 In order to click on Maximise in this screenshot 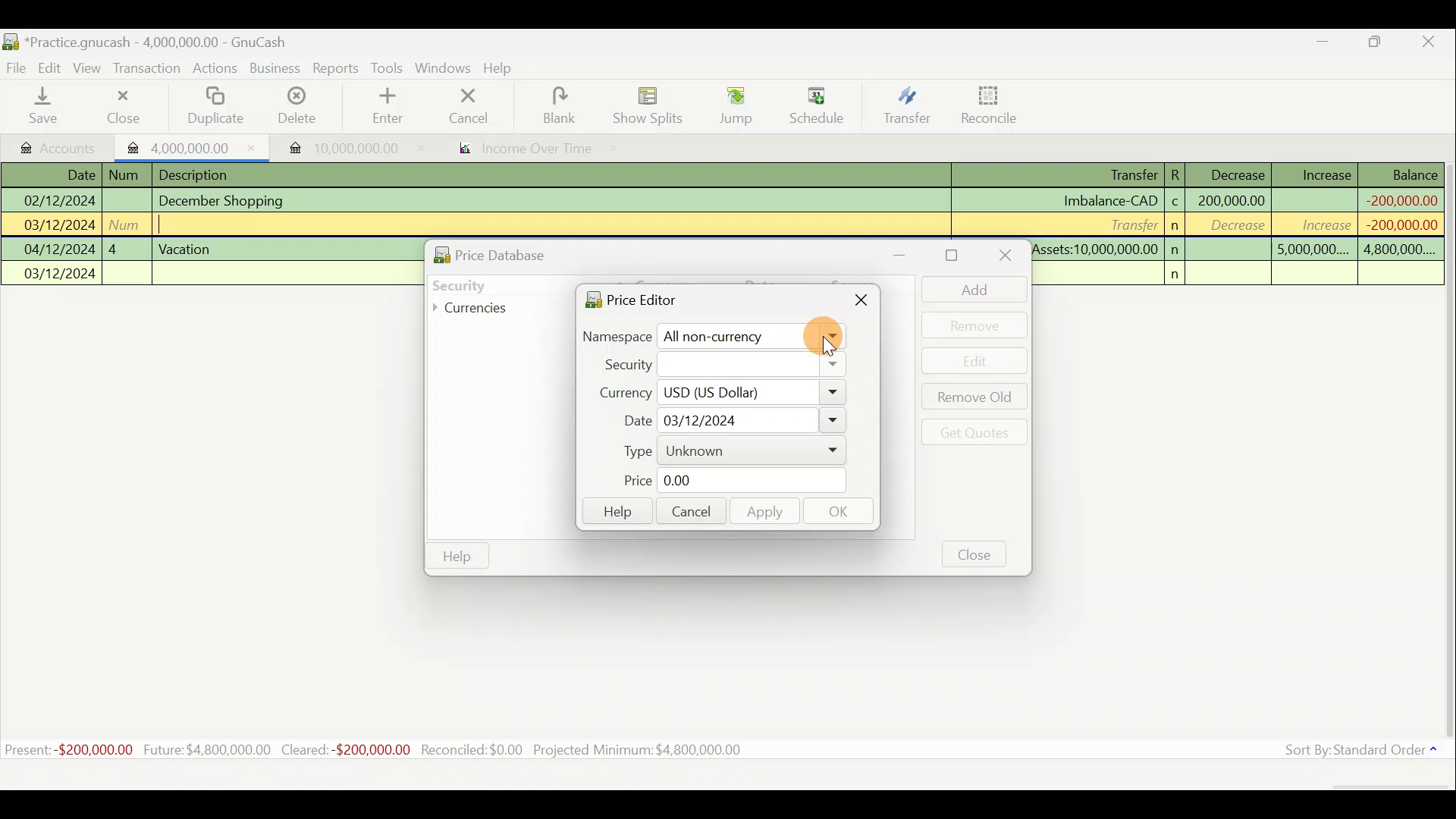, I will do `click(954, 256)`.